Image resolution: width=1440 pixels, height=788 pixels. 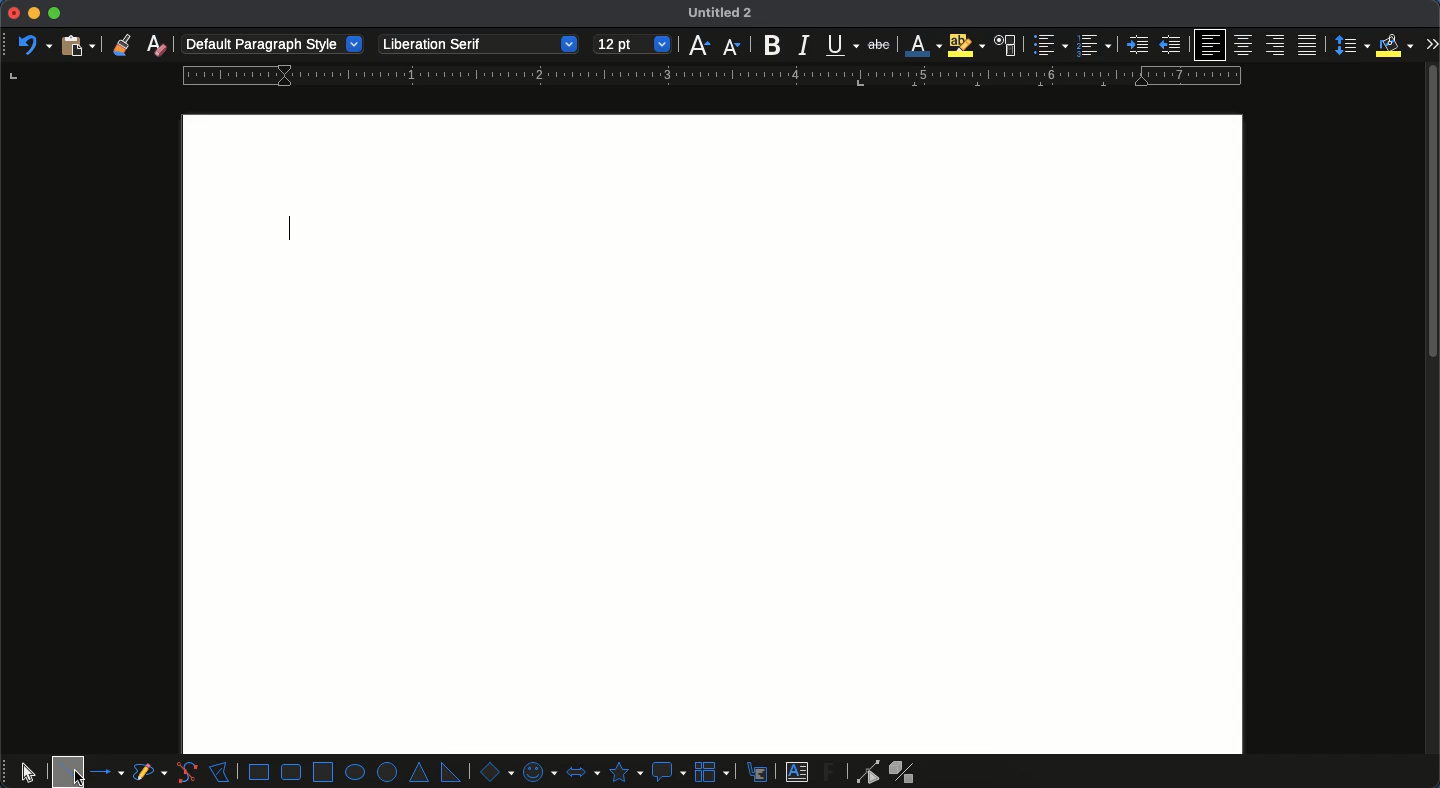 What do you see at coordinates (883, 45) in the screenshot?
I see `strikethrough` at bounding box center [883, 45].